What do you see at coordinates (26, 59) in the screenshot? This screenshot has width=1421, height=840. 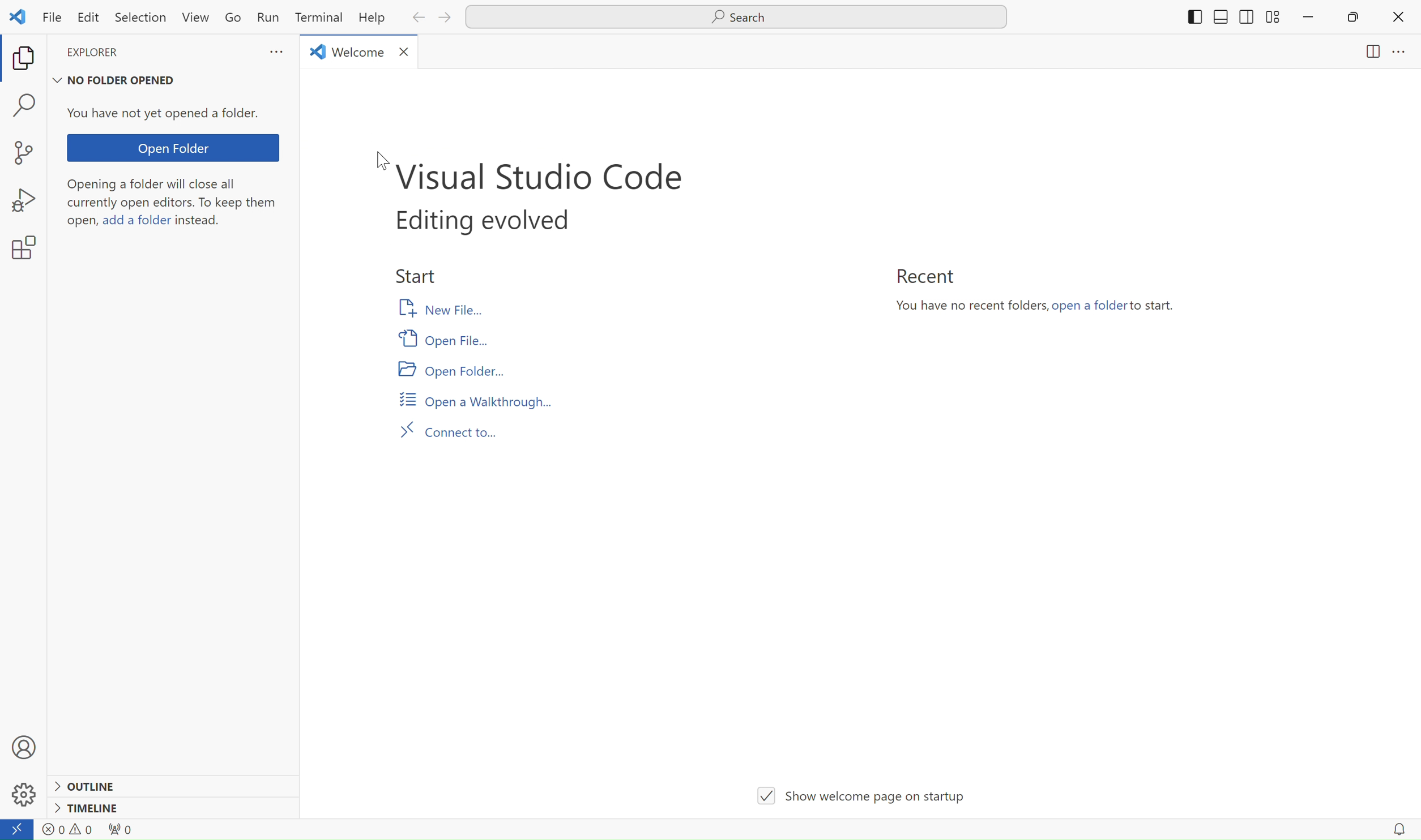 I see `copy` at bounding box center [26, 59].